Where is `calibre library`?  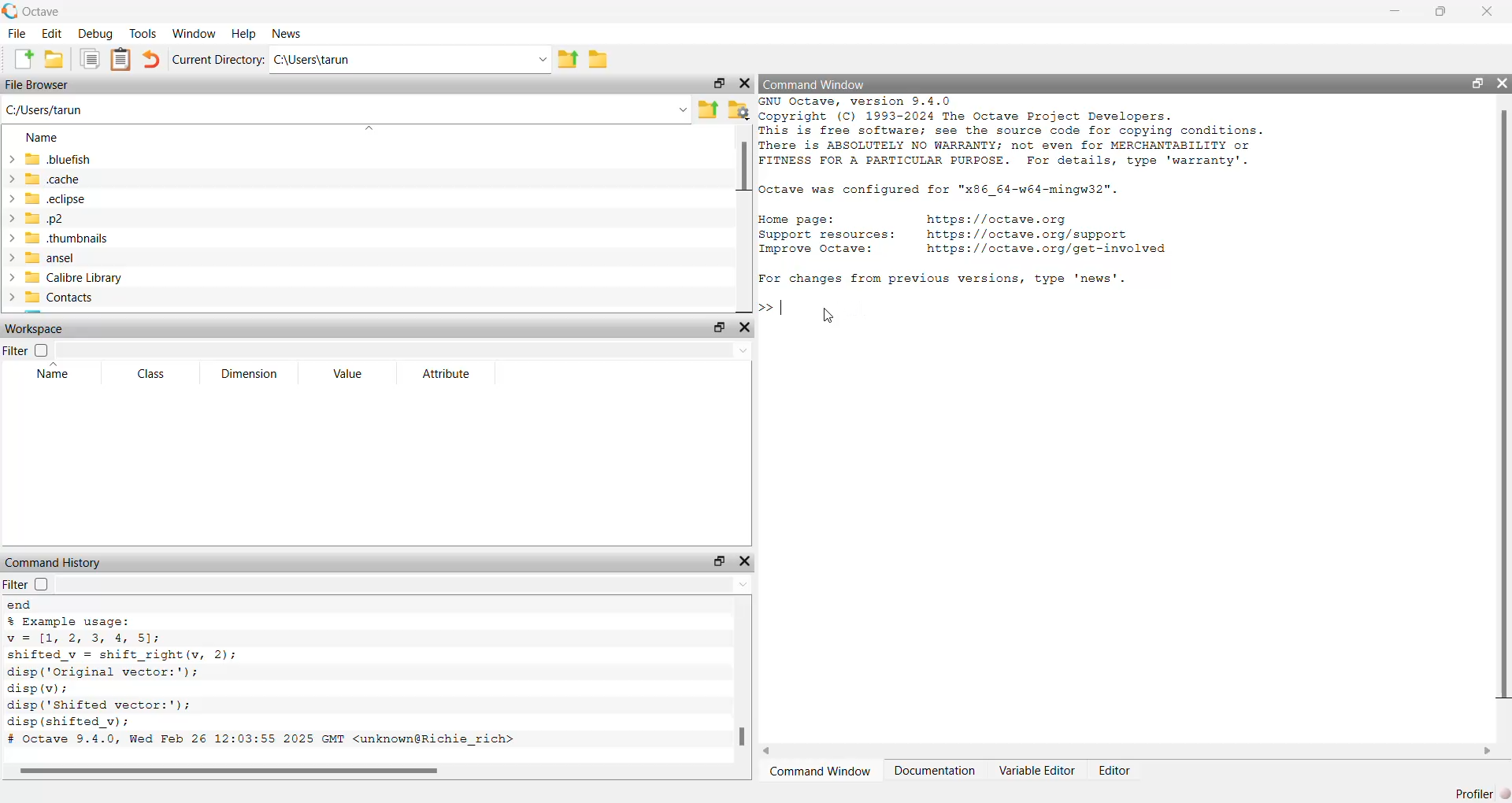 calibre library is located at coordinates (132, 279).